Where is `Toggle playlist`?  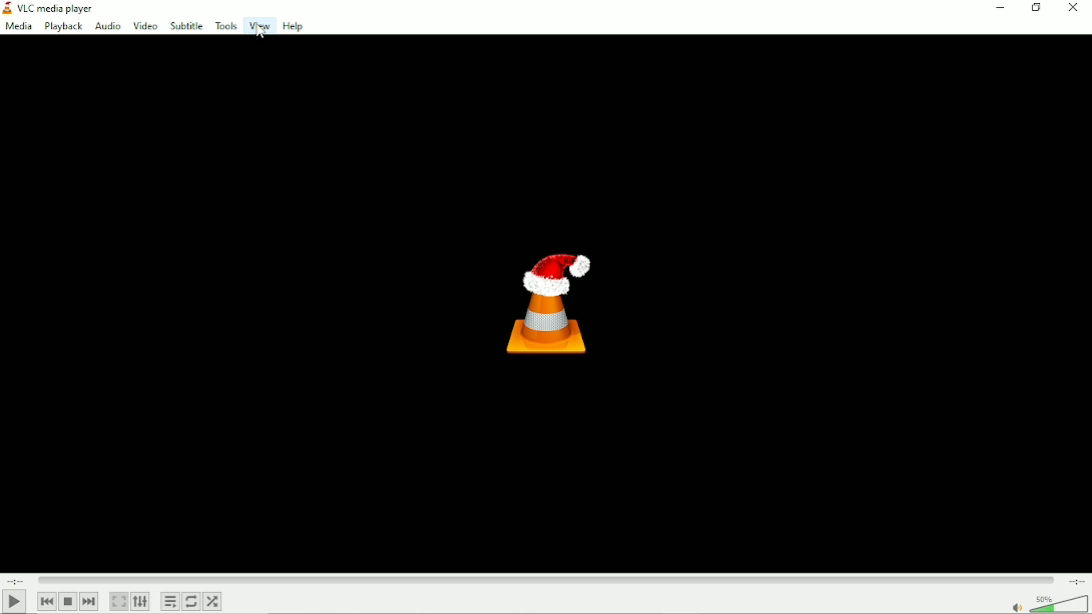
Toggle playlist is located at coordinates (169, 601).